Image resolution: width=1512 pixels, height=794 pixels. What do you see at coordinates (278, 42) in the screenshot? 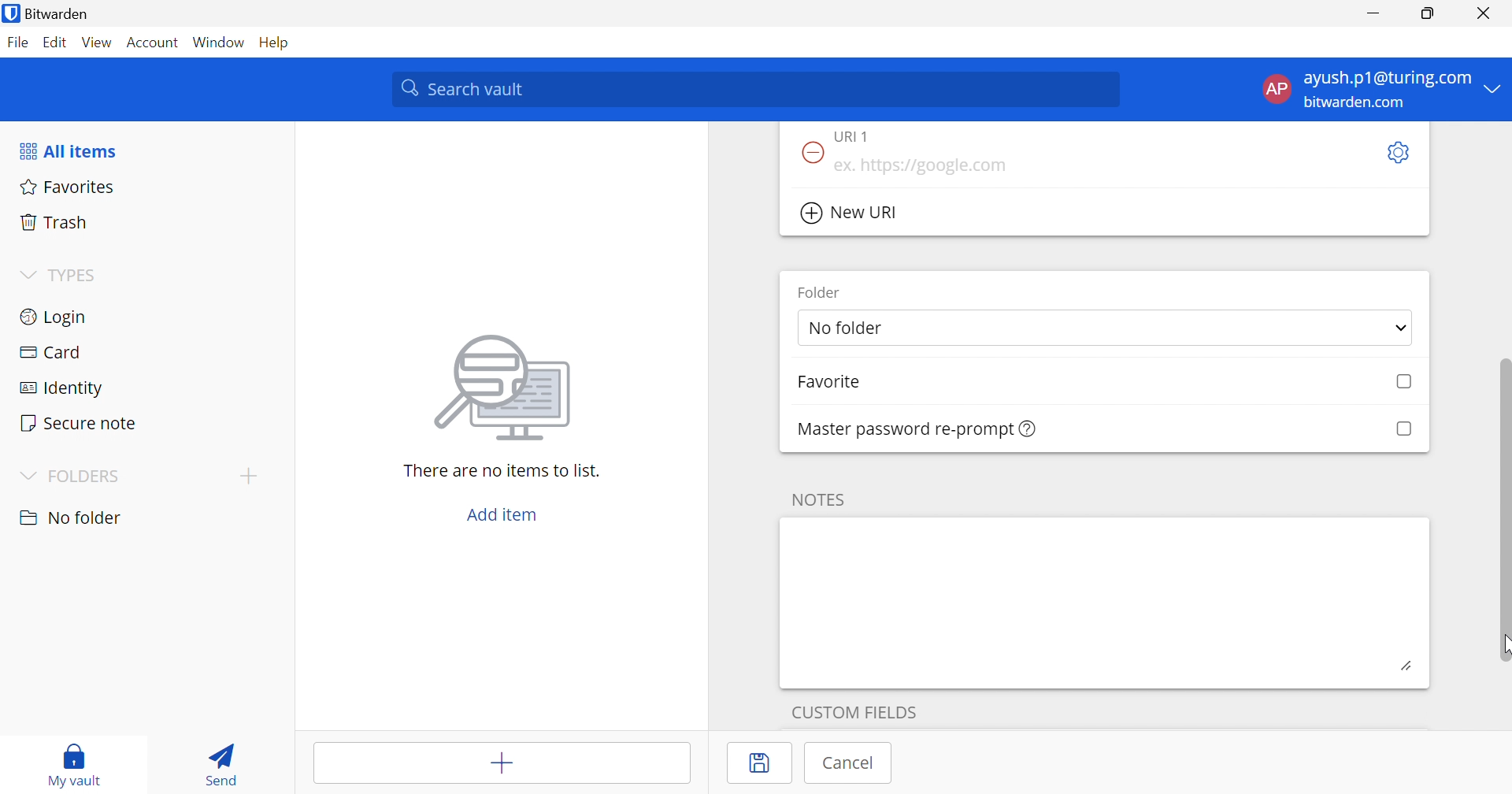
I see `Help` at bounding box center [278, 42].